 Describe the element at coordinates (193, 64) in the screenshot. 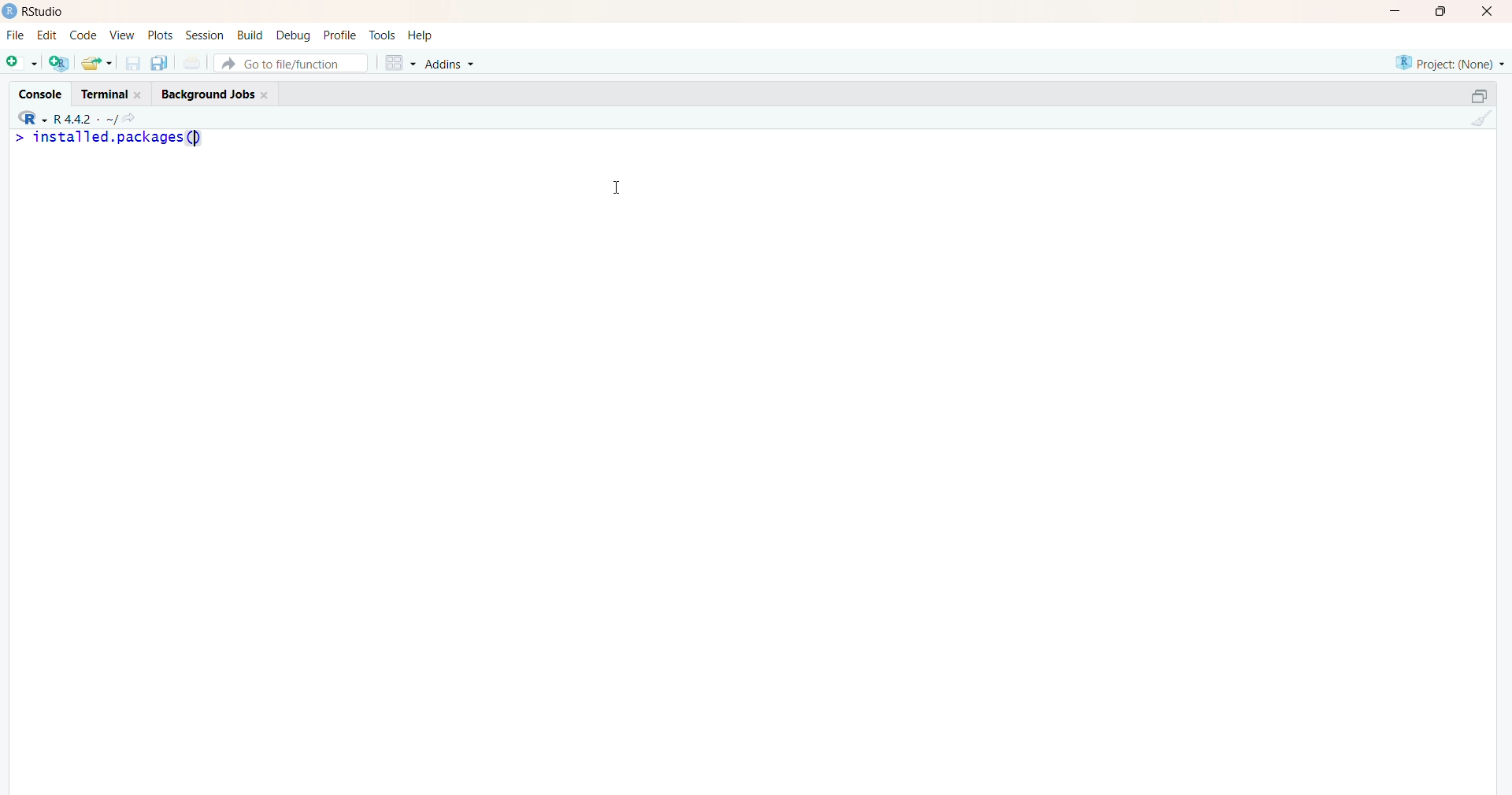

I see `print the current file` at that location.